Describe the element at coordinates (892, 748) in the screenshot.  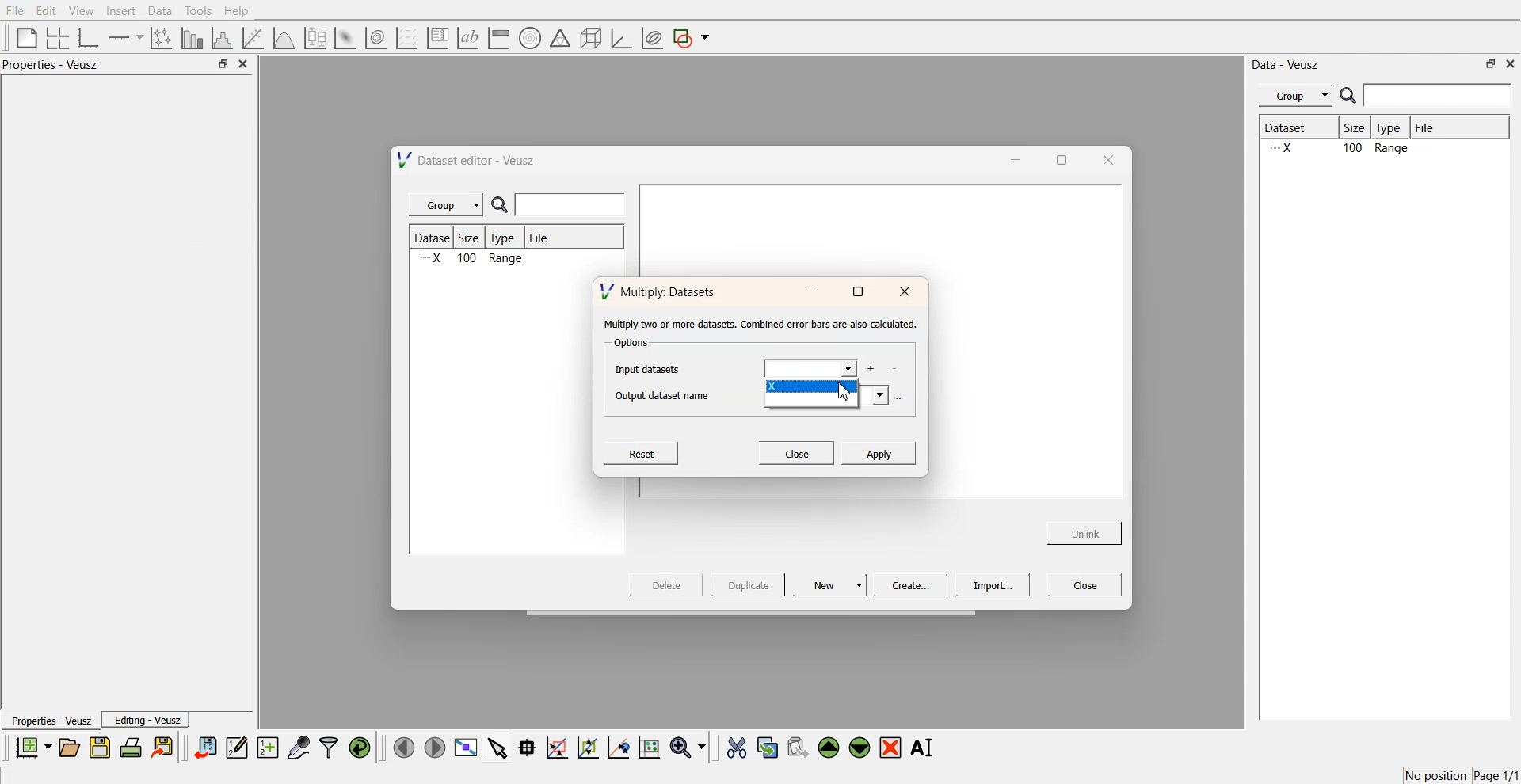
I see `remove the selected widgets` at that location.